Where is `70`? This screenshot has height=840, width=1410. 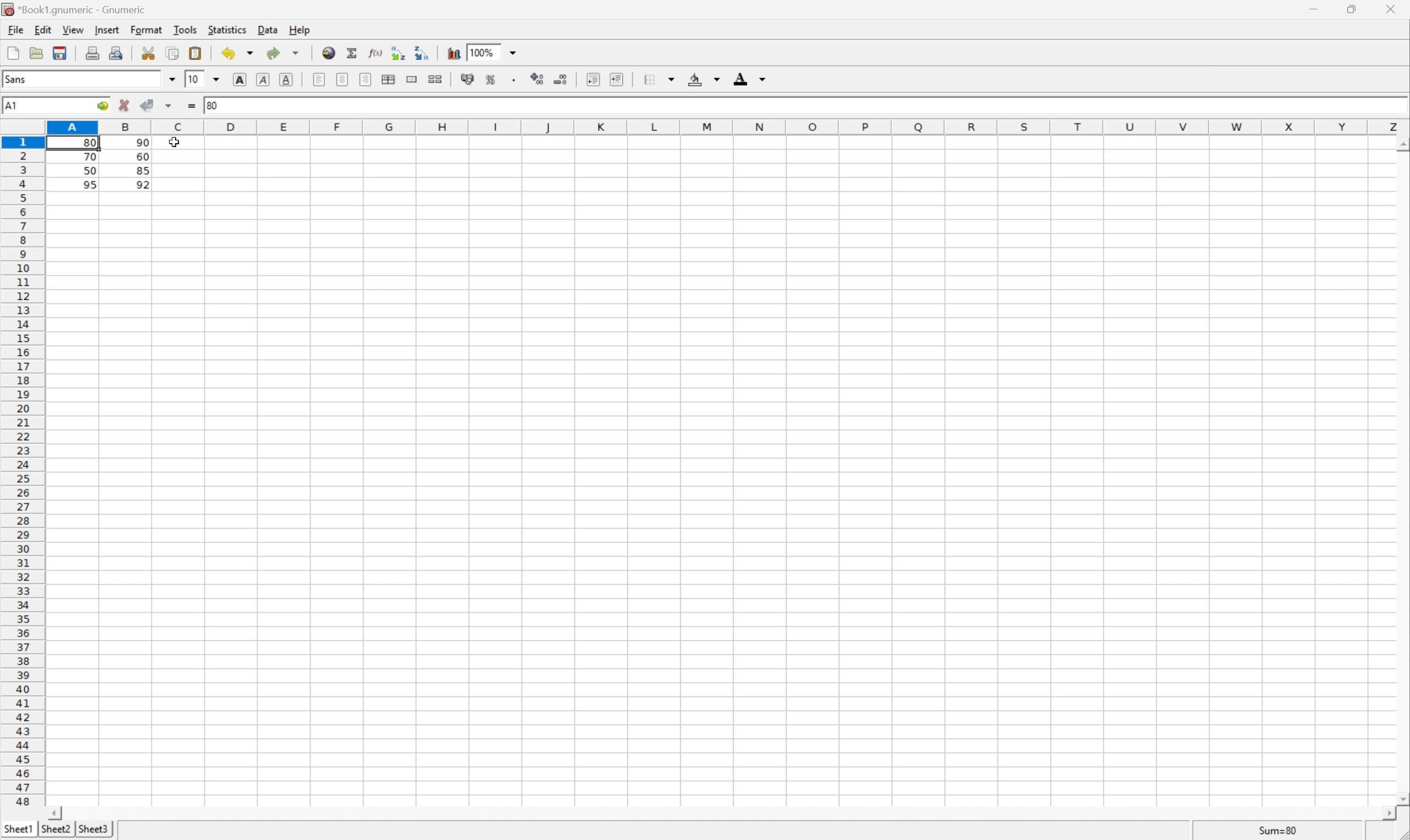 70 is located at coordinates (91, 158).